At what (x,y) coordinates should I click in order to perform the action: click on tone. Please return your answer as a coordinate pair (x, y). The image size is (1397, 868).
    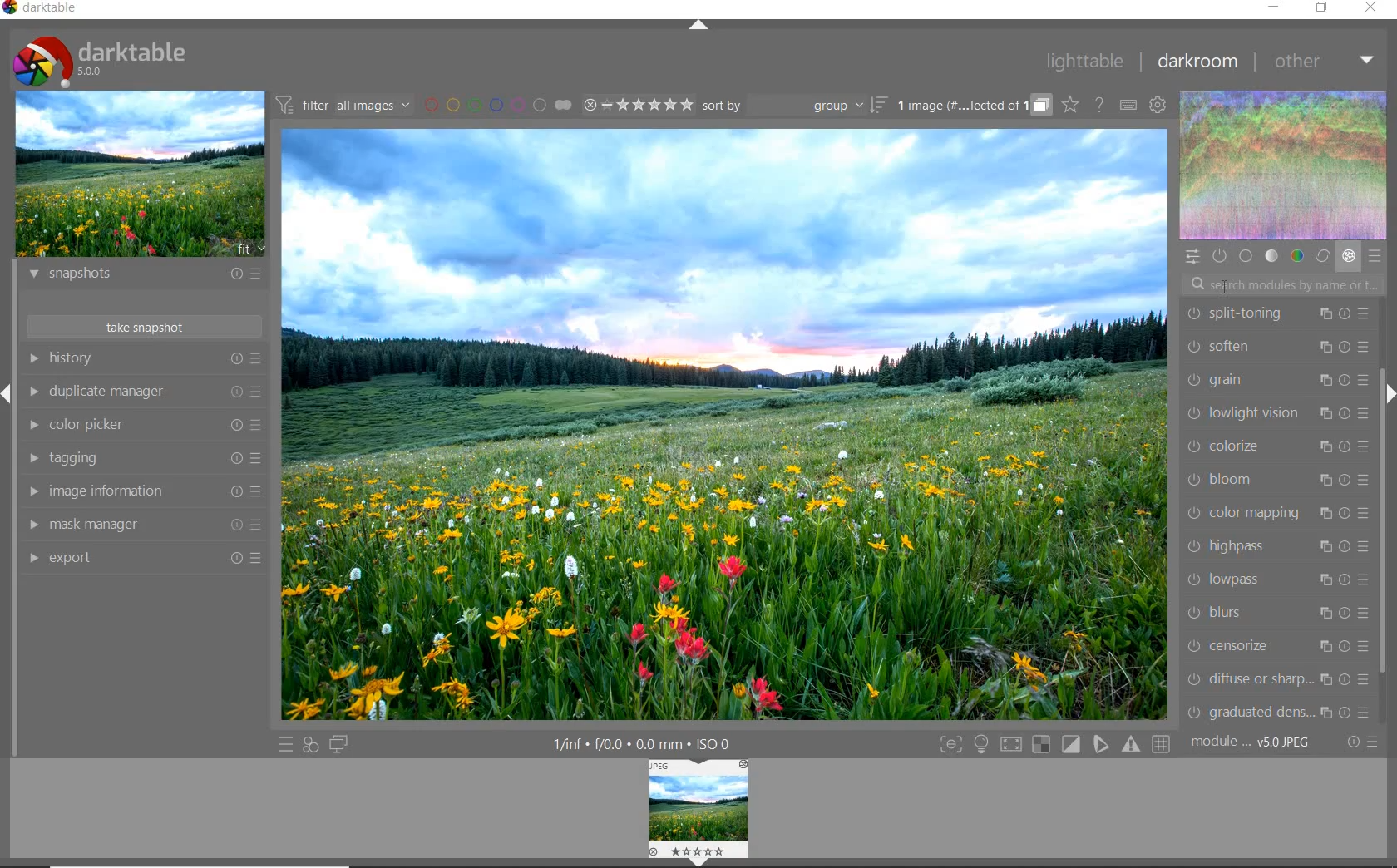
    Looking at the image, I should click on (1272, 254).